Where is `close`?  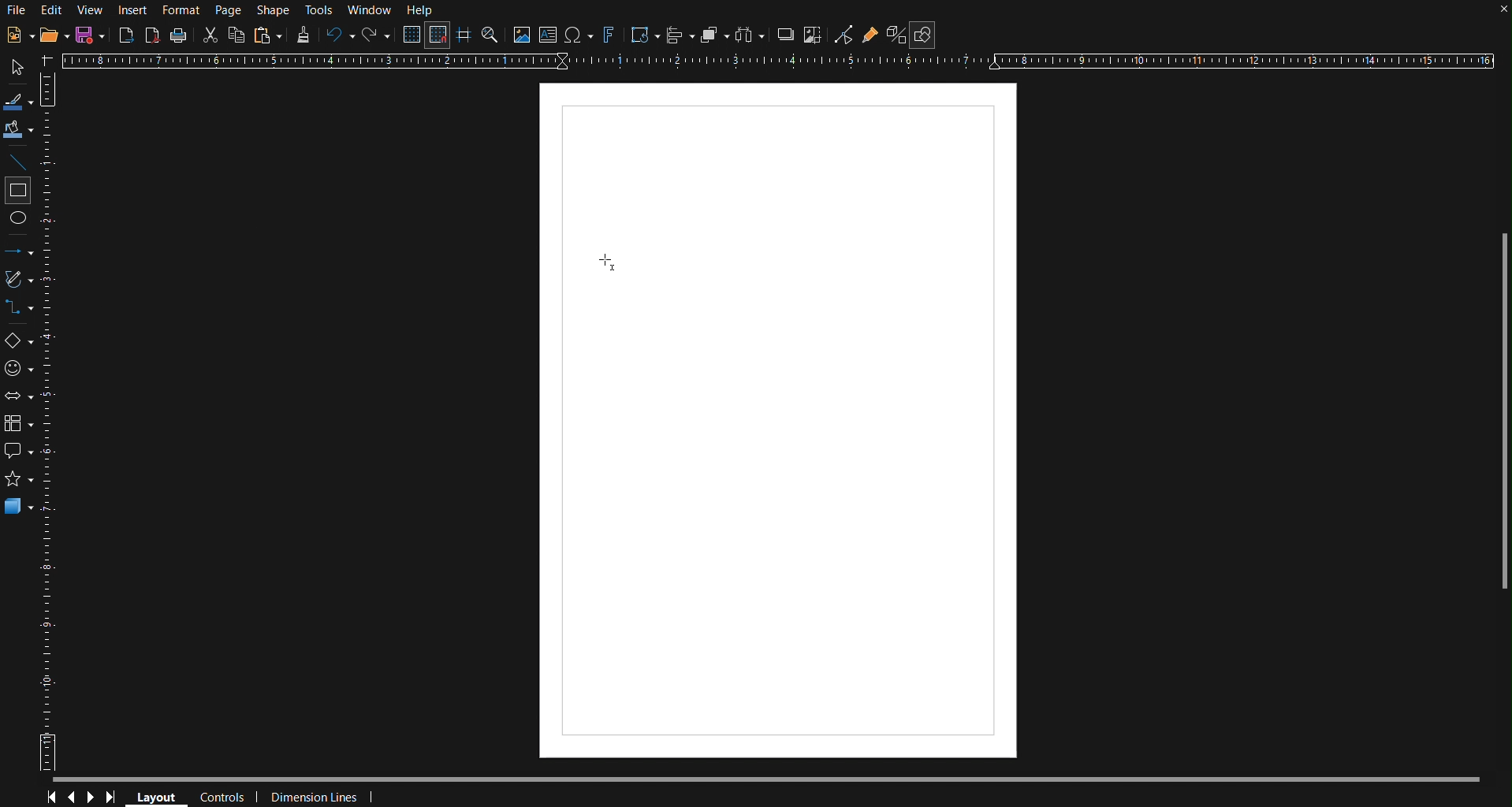
close is located at coordinates (1501, 13).